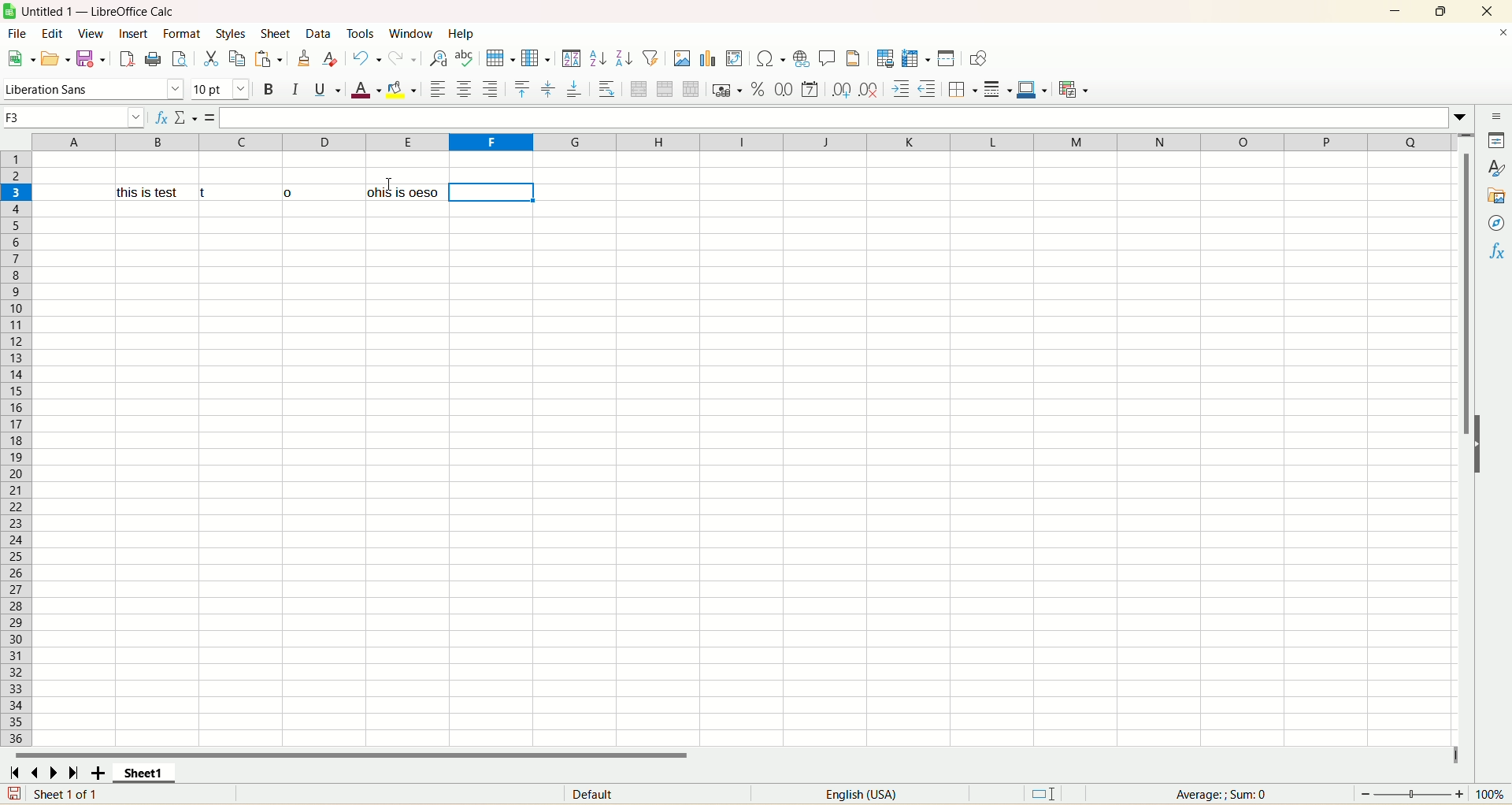 Image resolution: width=1512 pixels, height=805 pixels. What do you see at coordinates (738, 478) in the screenshot?
I see `sheet` at bounding box center [738, 478].